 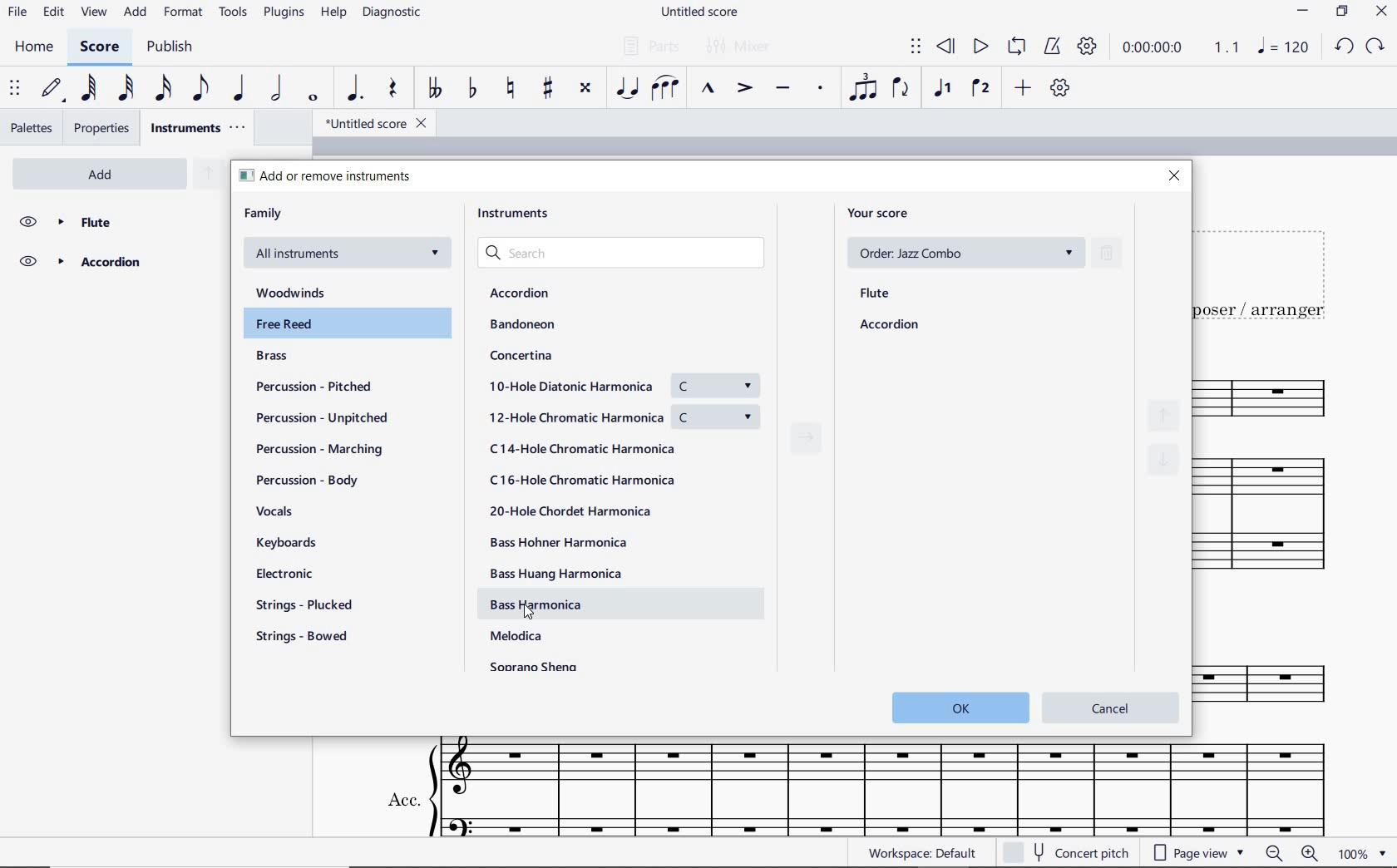 I want to click on workspace: default, so click(x=920, y=852).